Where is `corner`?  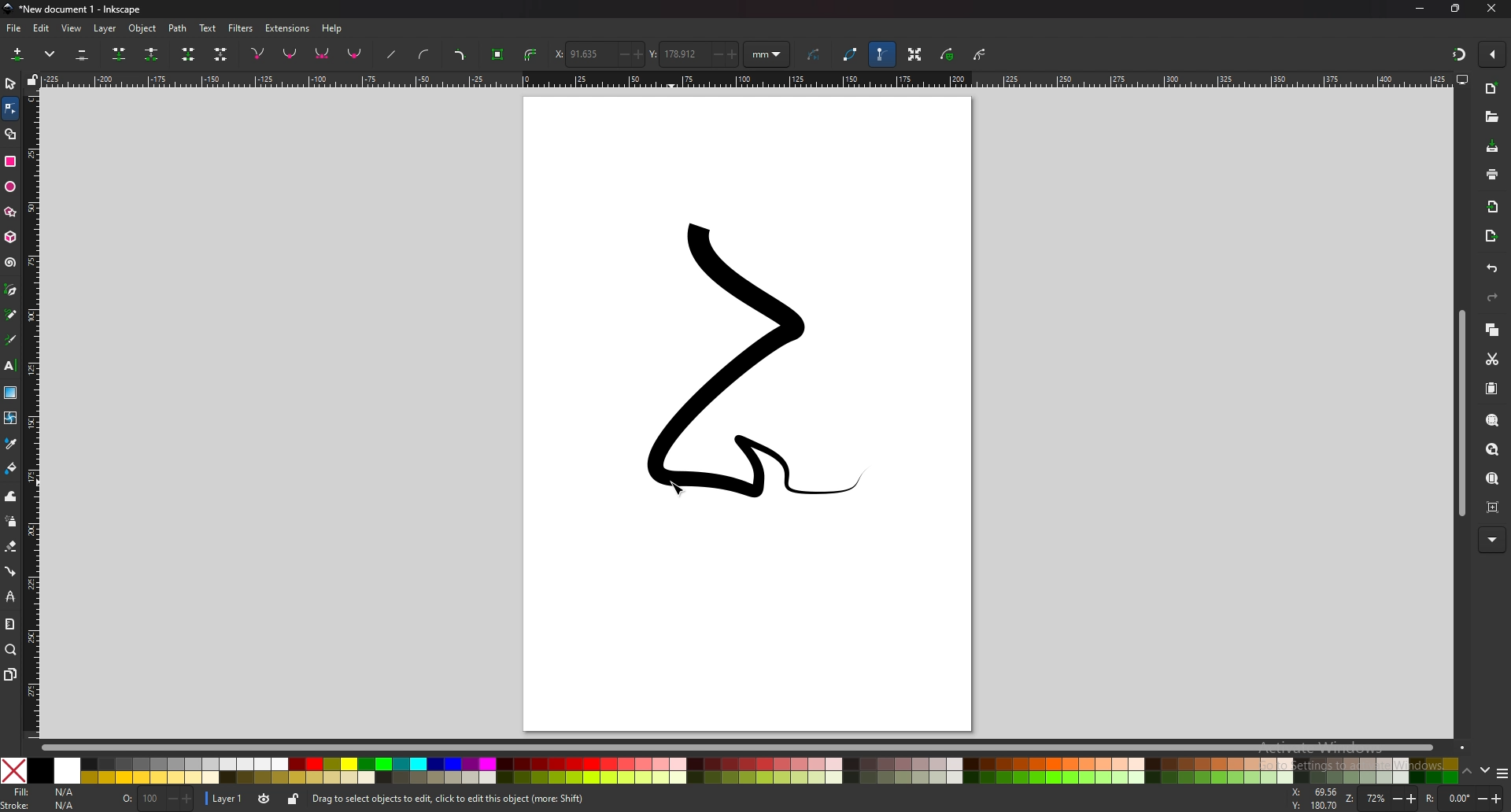
corner is located at coordinates (258, 54).